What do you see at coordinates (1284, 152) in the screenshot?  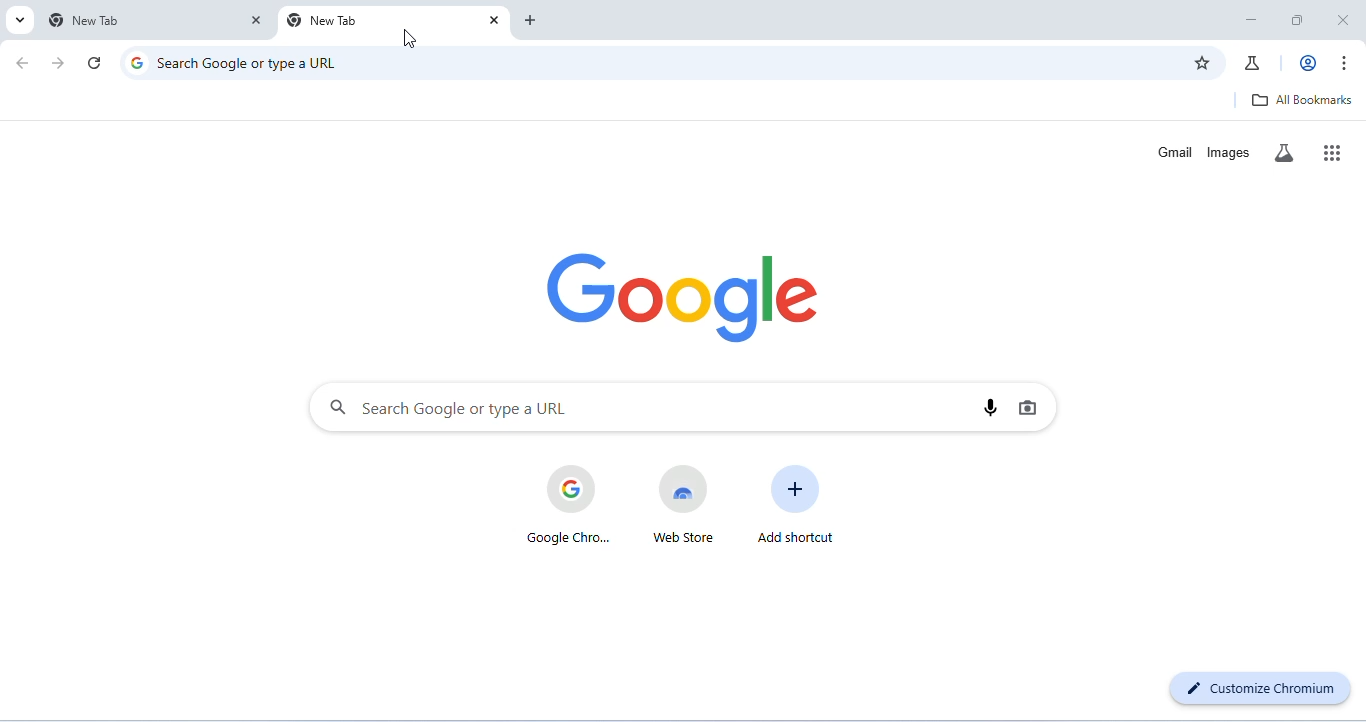 I see `search labs` at bounding box center [1284, 152].